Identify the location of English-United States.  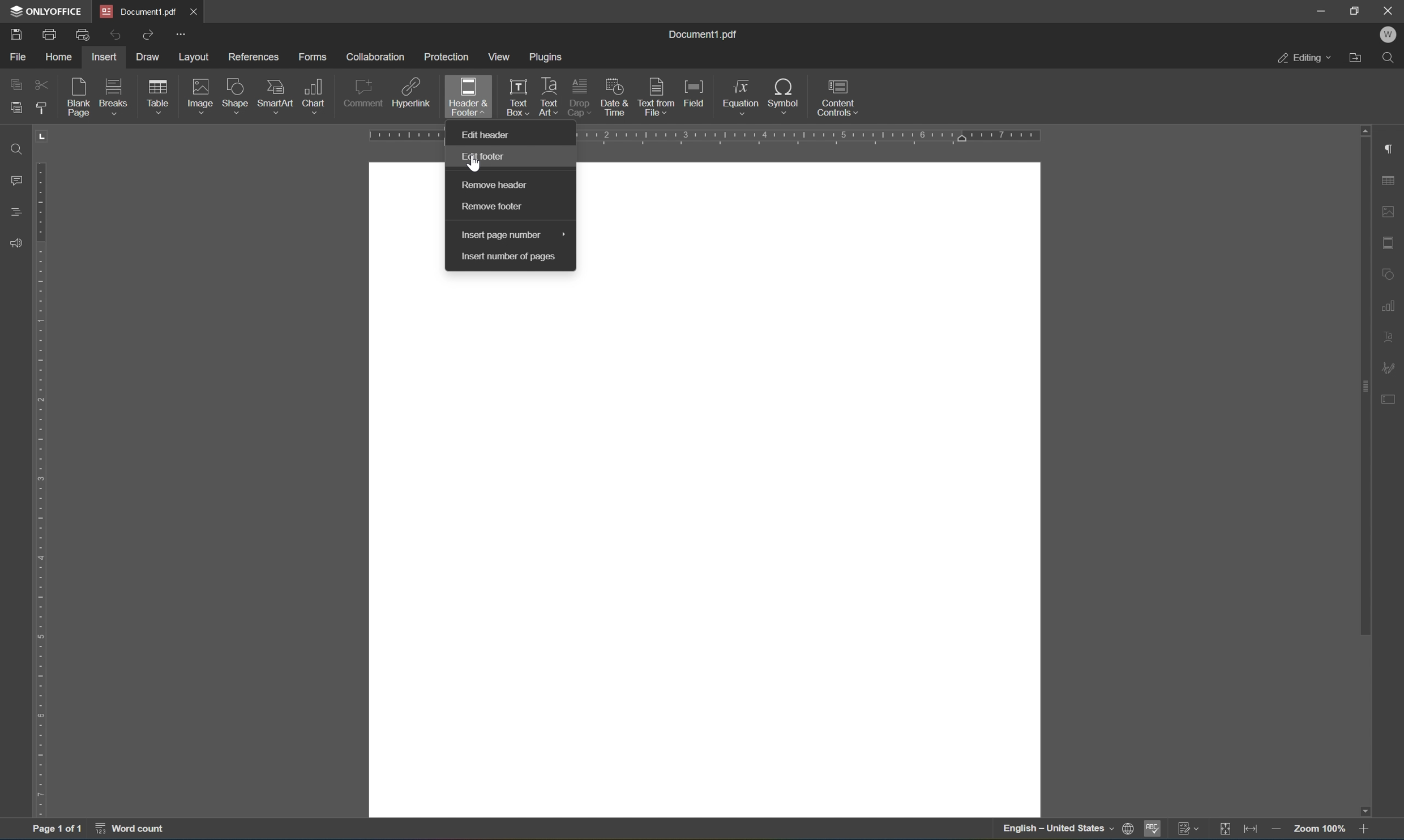
(1066, 830).